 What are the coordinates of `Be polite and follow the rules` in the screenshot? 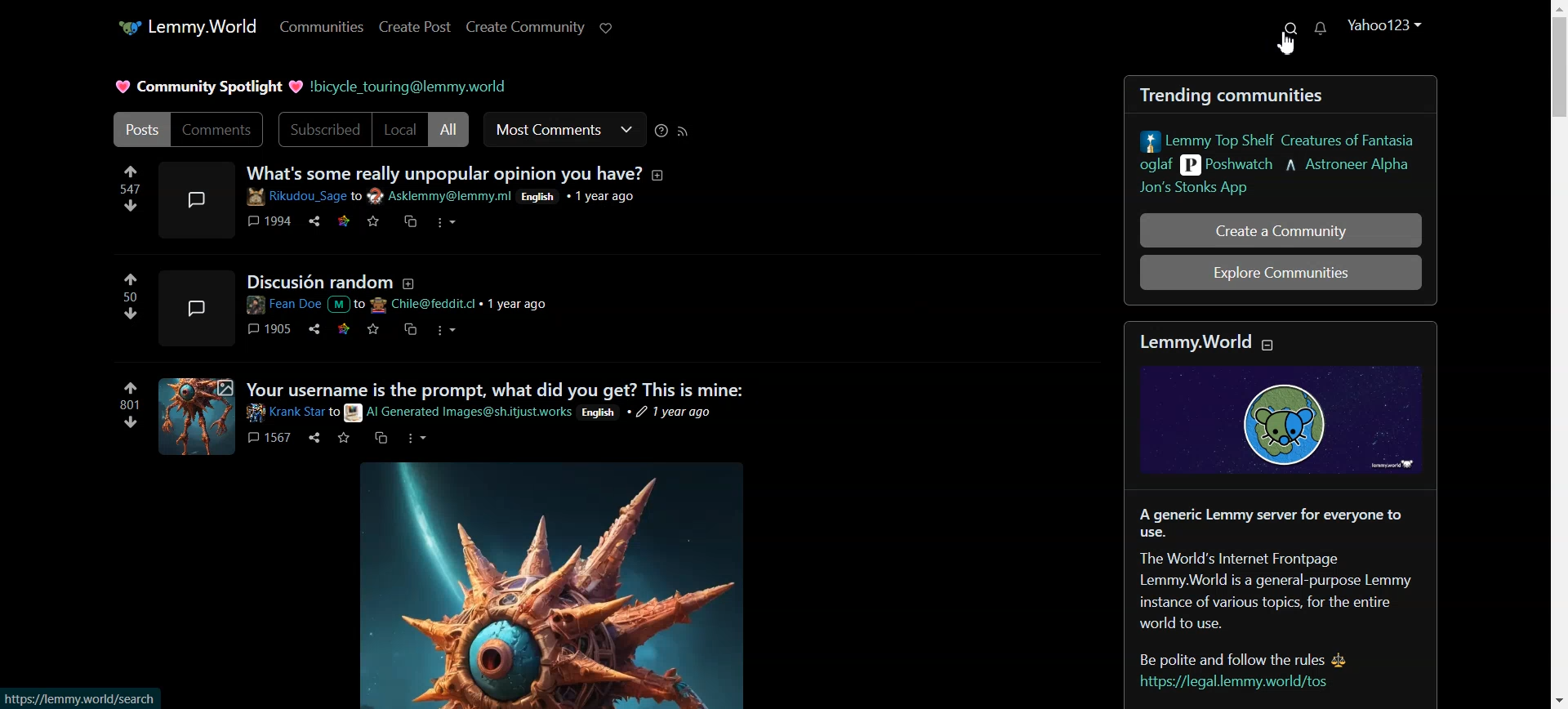 It's located at (1241, 659).